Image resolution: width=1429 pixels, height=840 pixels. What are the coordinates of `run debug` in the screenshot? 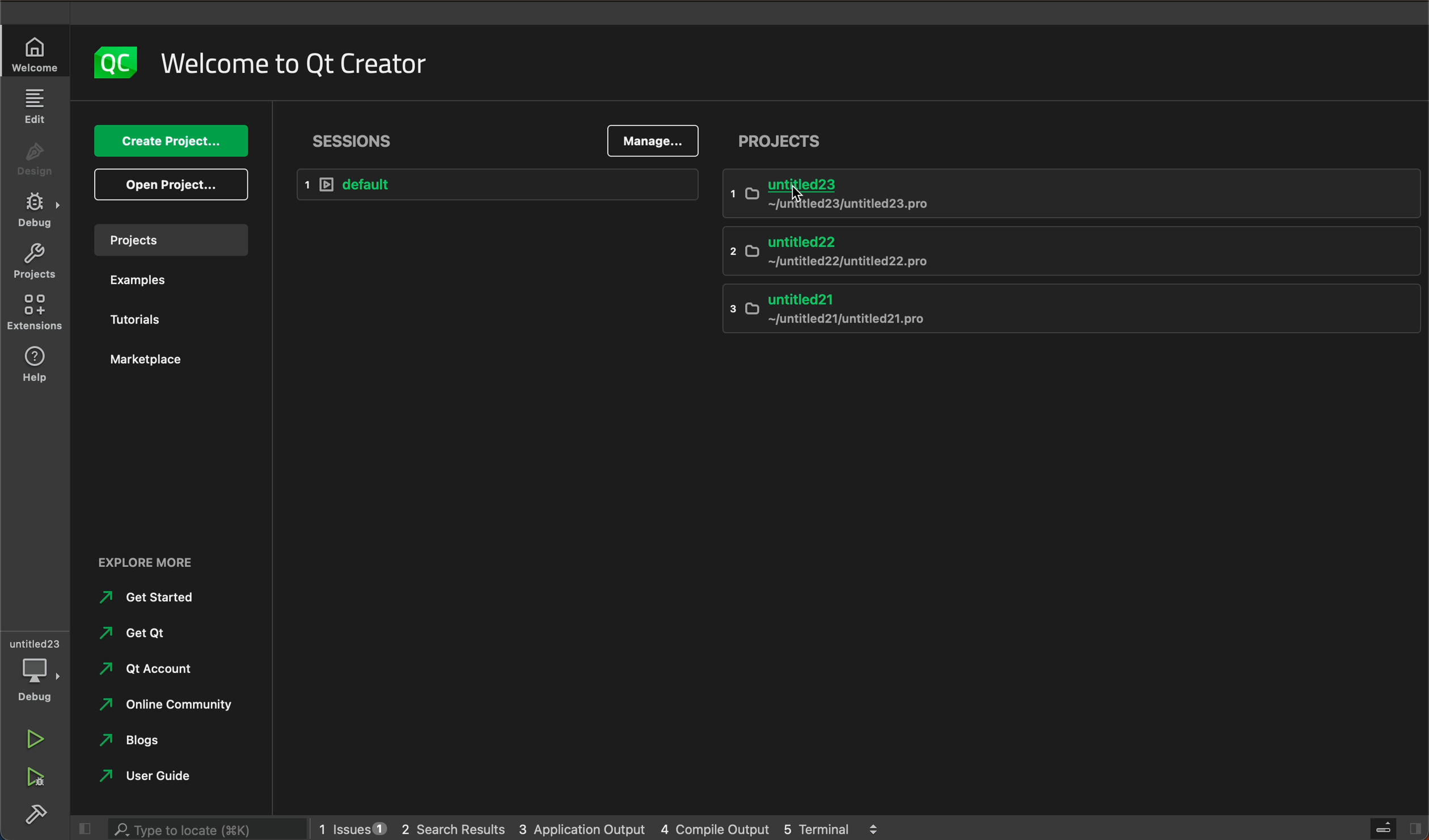 It's located at (33, 777).